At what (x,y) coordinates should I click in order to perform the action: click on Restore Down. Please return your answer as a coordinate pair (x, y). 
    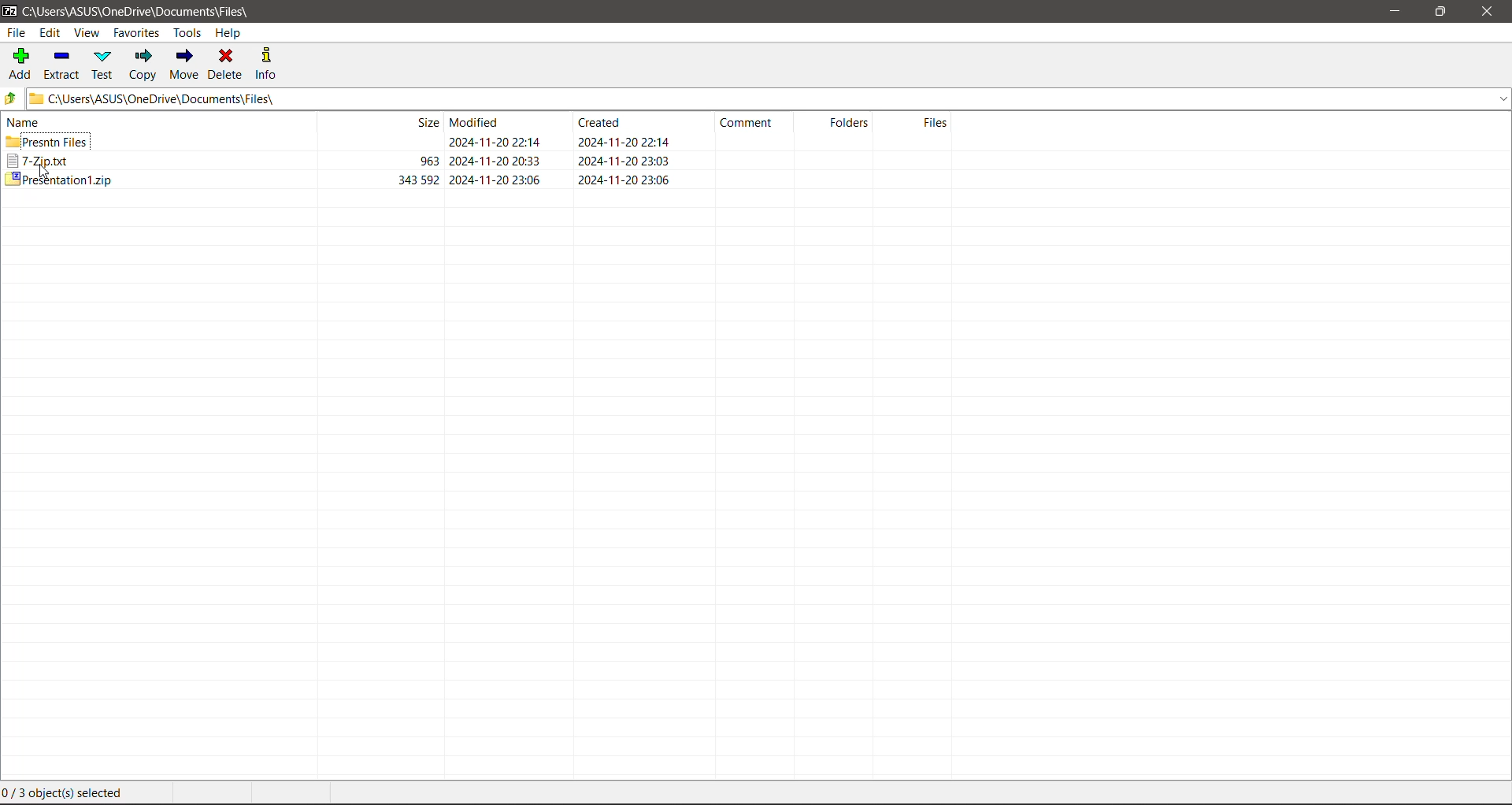
    Looking at the image, I should click on (1442, 12).